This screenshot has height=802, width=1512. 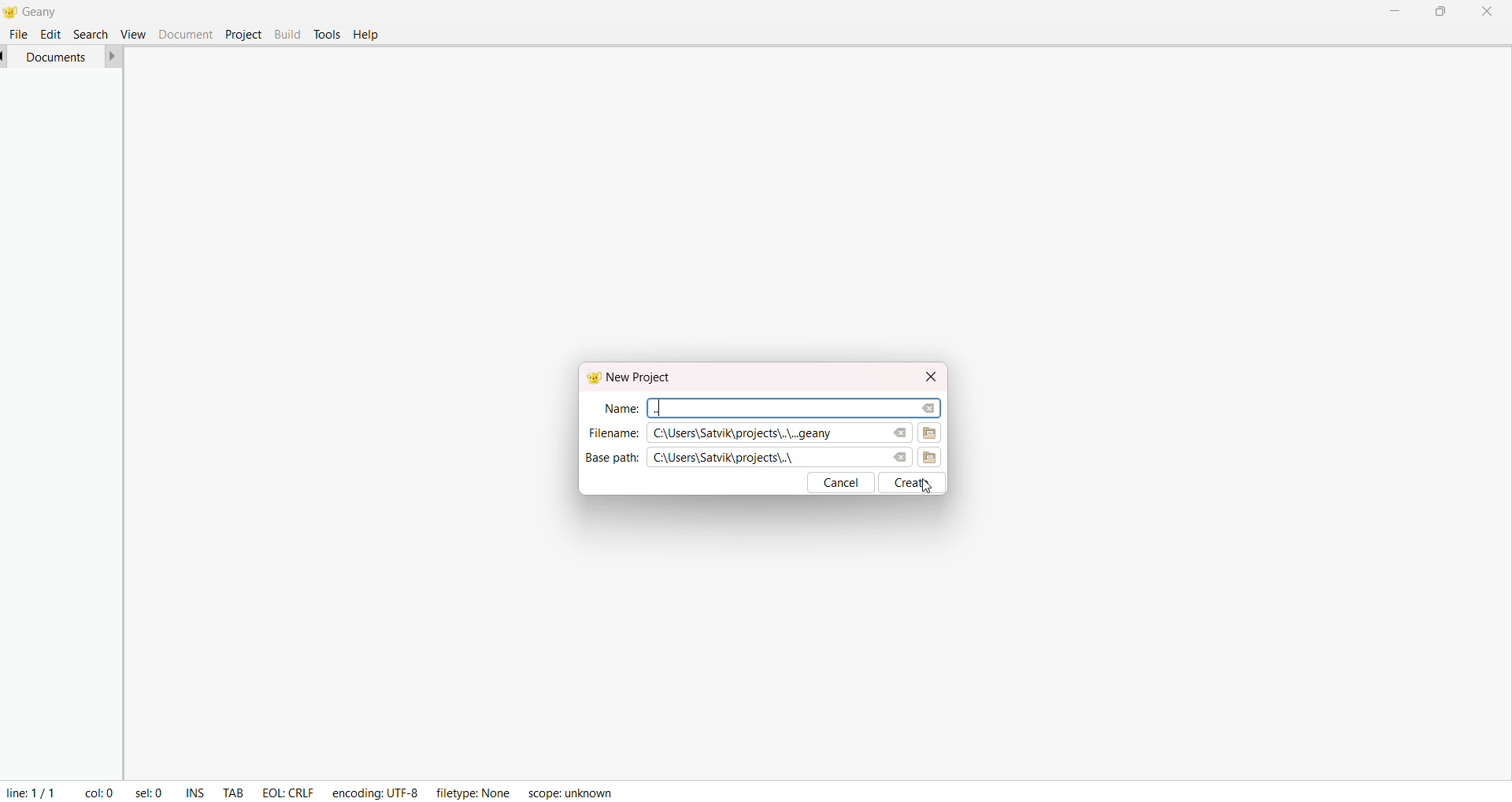 What do you see at coordinates (132, 33) in the screenshot?
I see `view` at bounding box center [132, 33].